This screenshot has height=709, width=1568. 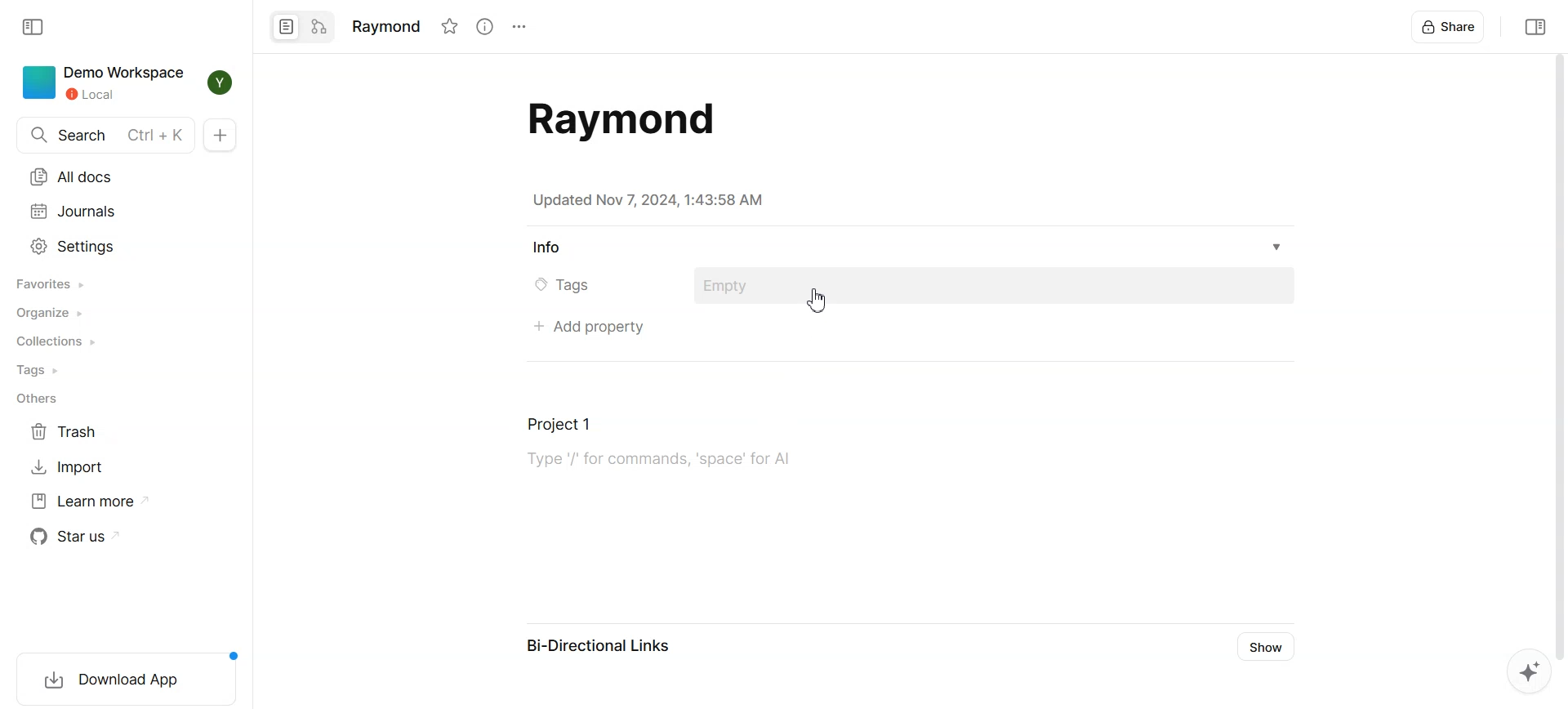 What do you see at coordinates (56, 341) in the screenshot?
I see `Collections` at bounding box center [56, 341].